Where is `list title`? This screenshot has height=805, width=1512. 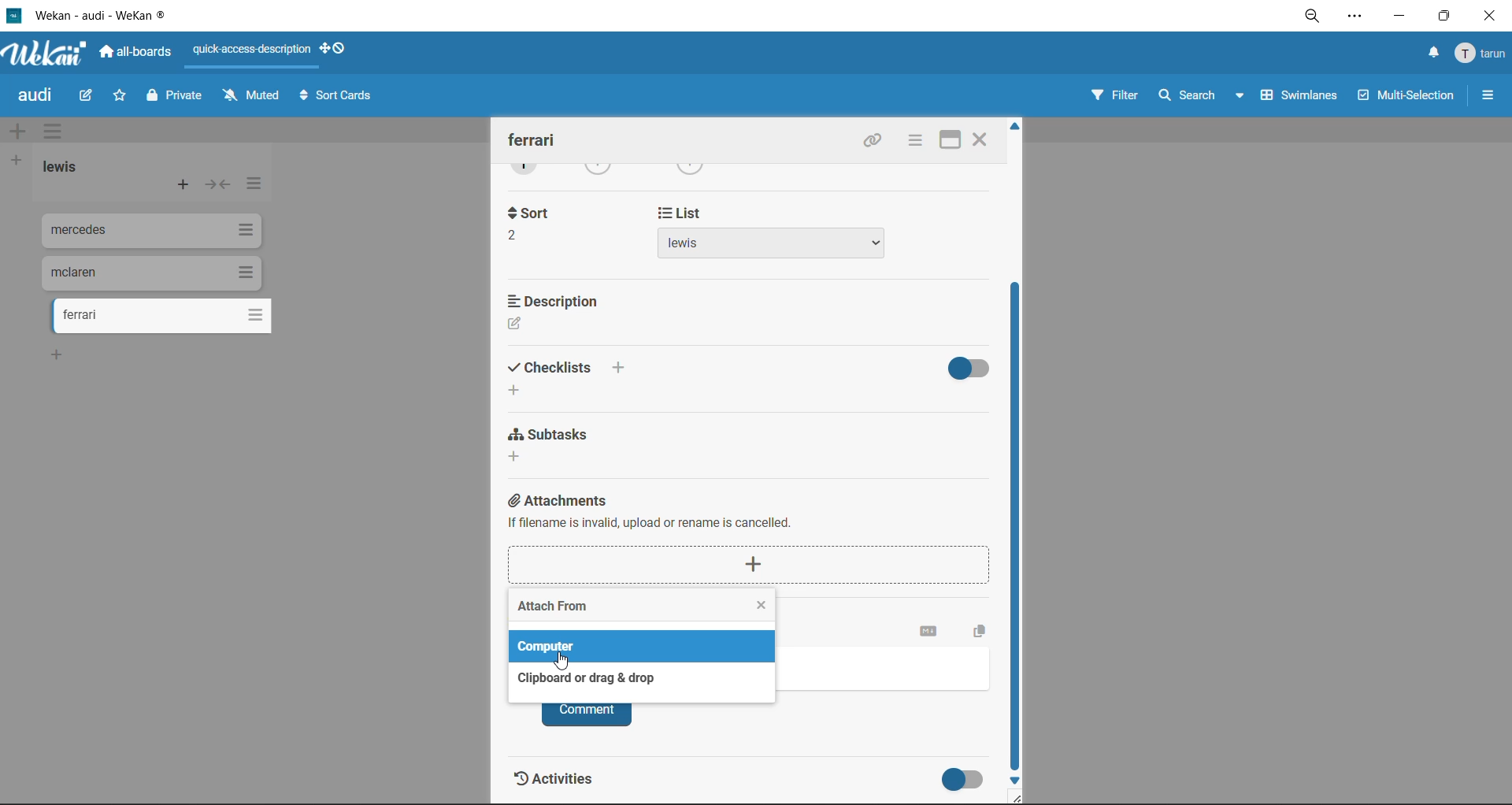 list title is located at coordinates (60, 167).